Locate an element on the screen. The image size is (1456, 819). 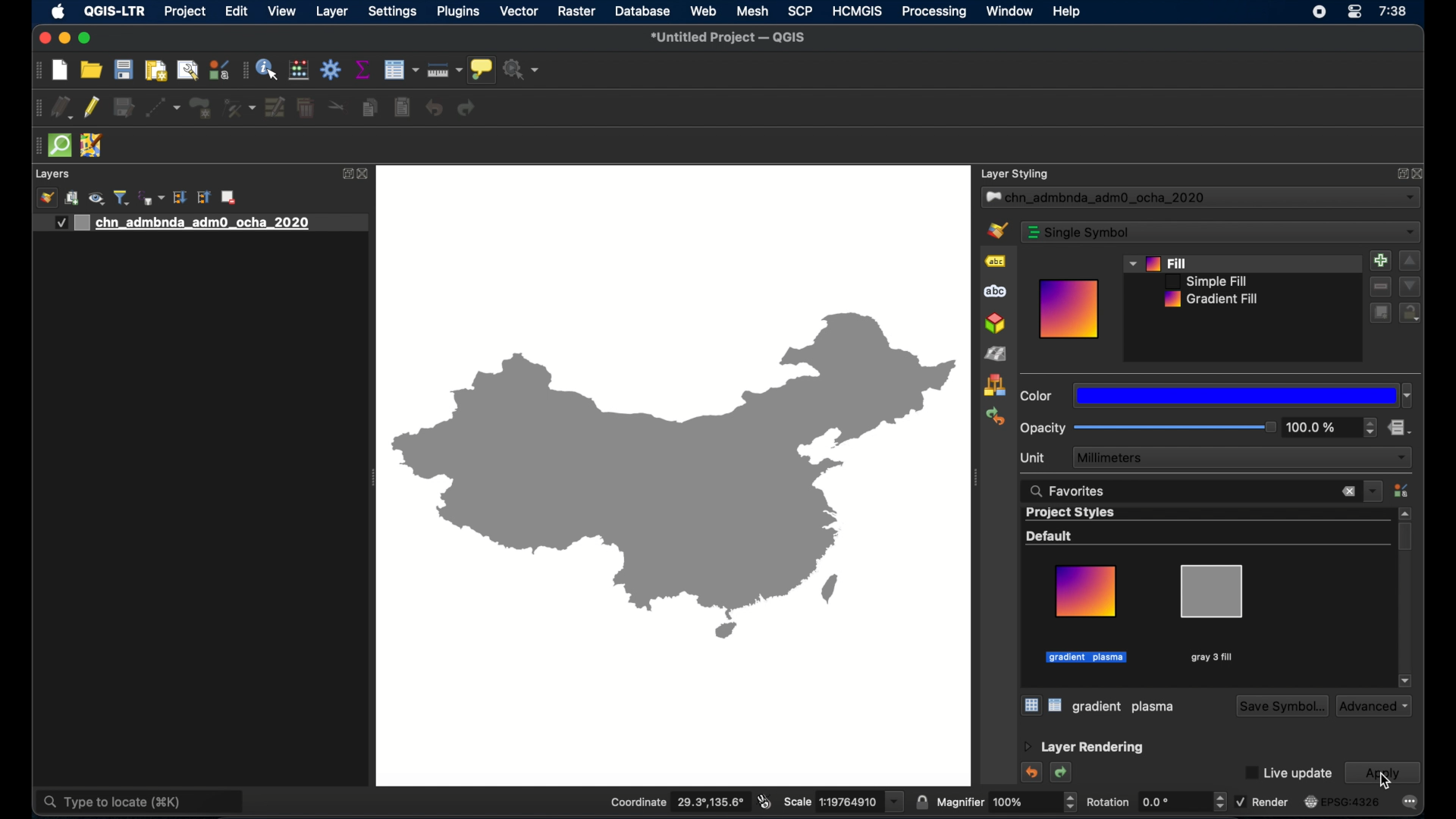
redo is located at coordinates (467, 108).